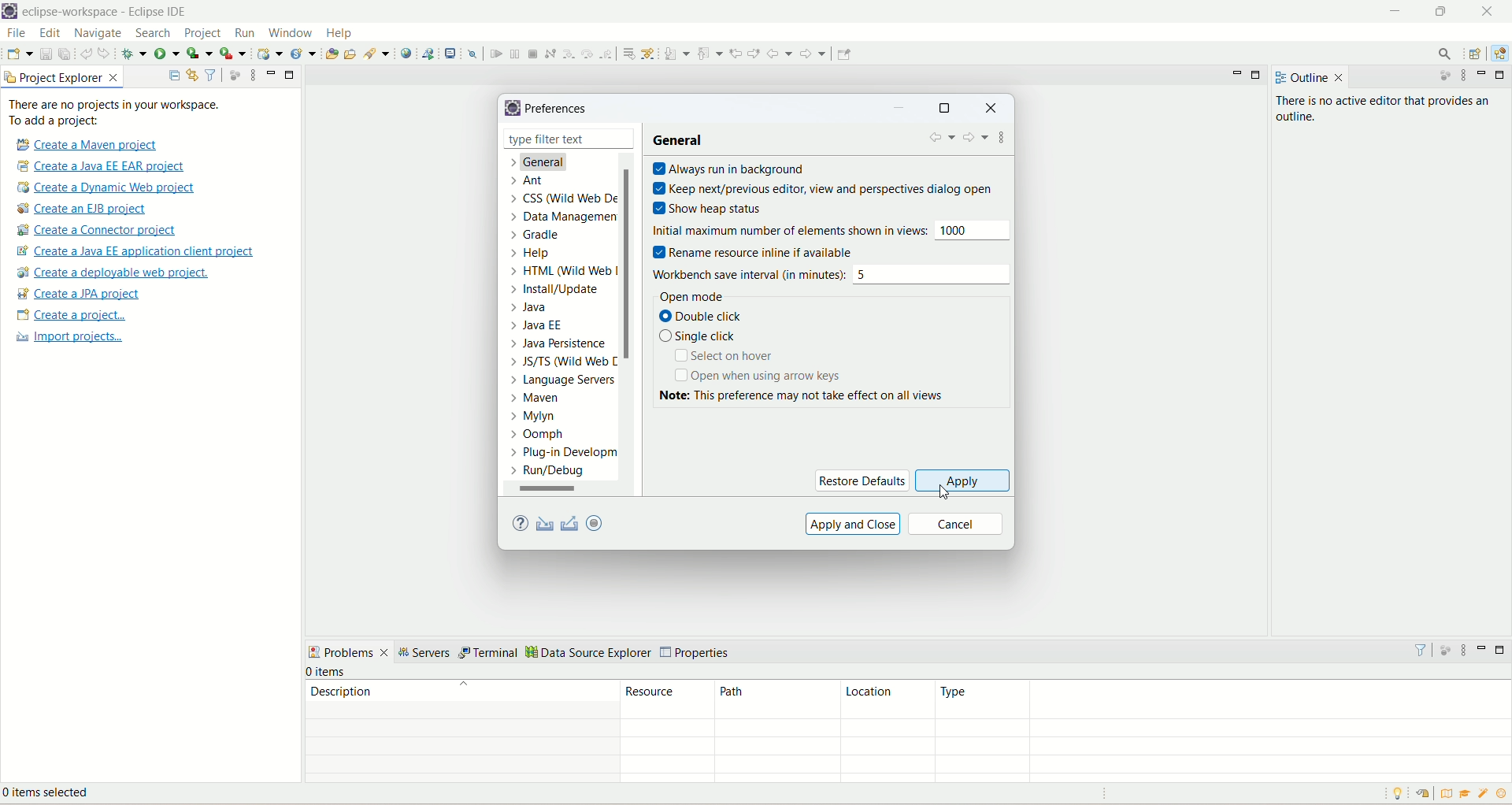  What do you see at coordinates (511, 107) in the screenshot?
I see `logo` at bounding box center [511, 107].